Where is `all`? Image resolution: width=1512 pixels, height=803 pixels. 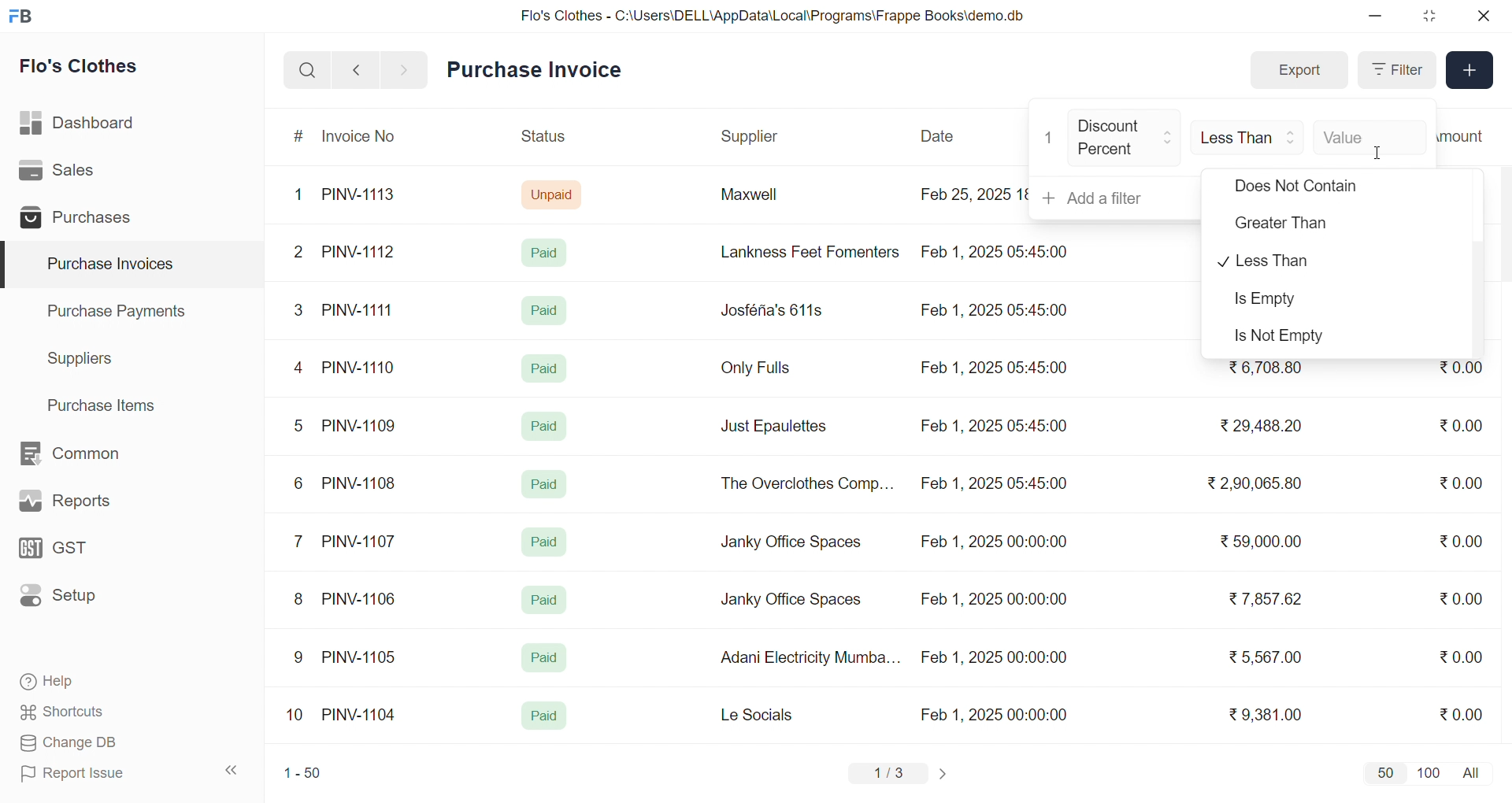
all is located at coordinates (1474, 772).